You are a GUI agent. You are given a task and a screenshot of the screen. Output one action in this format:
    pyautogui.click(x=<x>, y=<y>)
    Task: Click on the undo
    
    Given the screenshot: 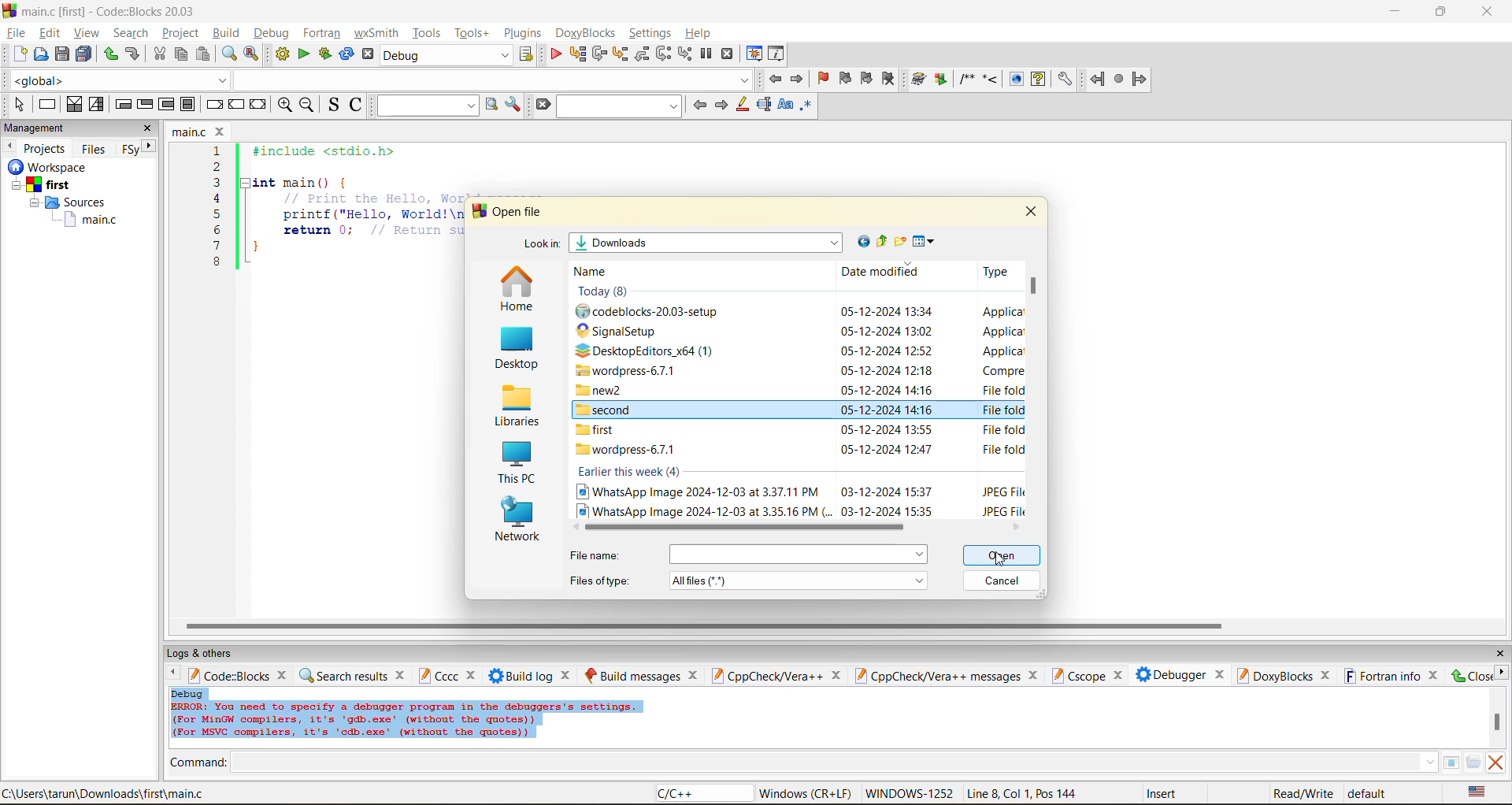 What is the action you would take?
    pyautogui.click(x=131, y=54)
    